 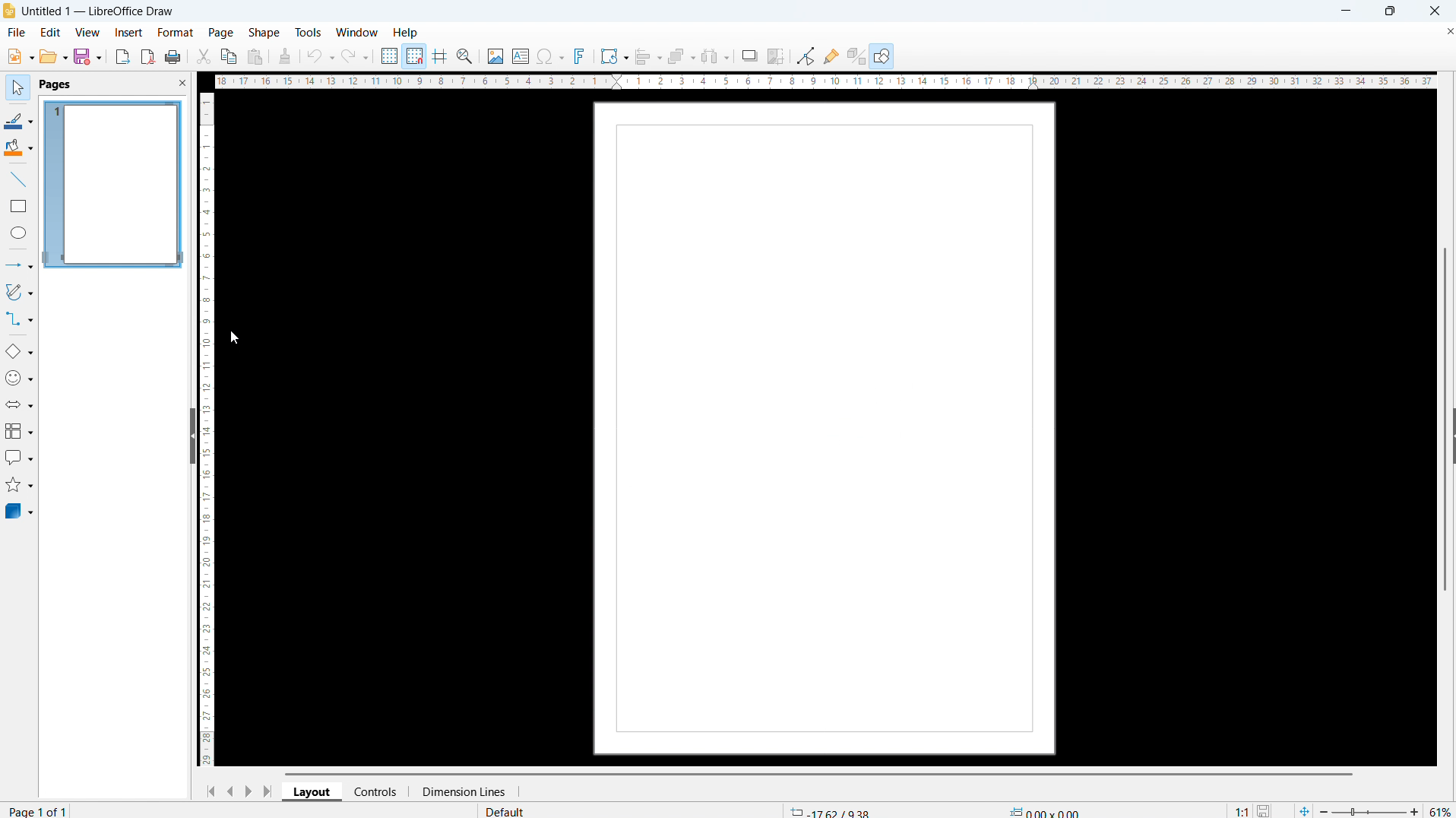 What do you see at coordinates (49, 33) in the screenshot?
I see `edit` at bounding box center [49, 33].